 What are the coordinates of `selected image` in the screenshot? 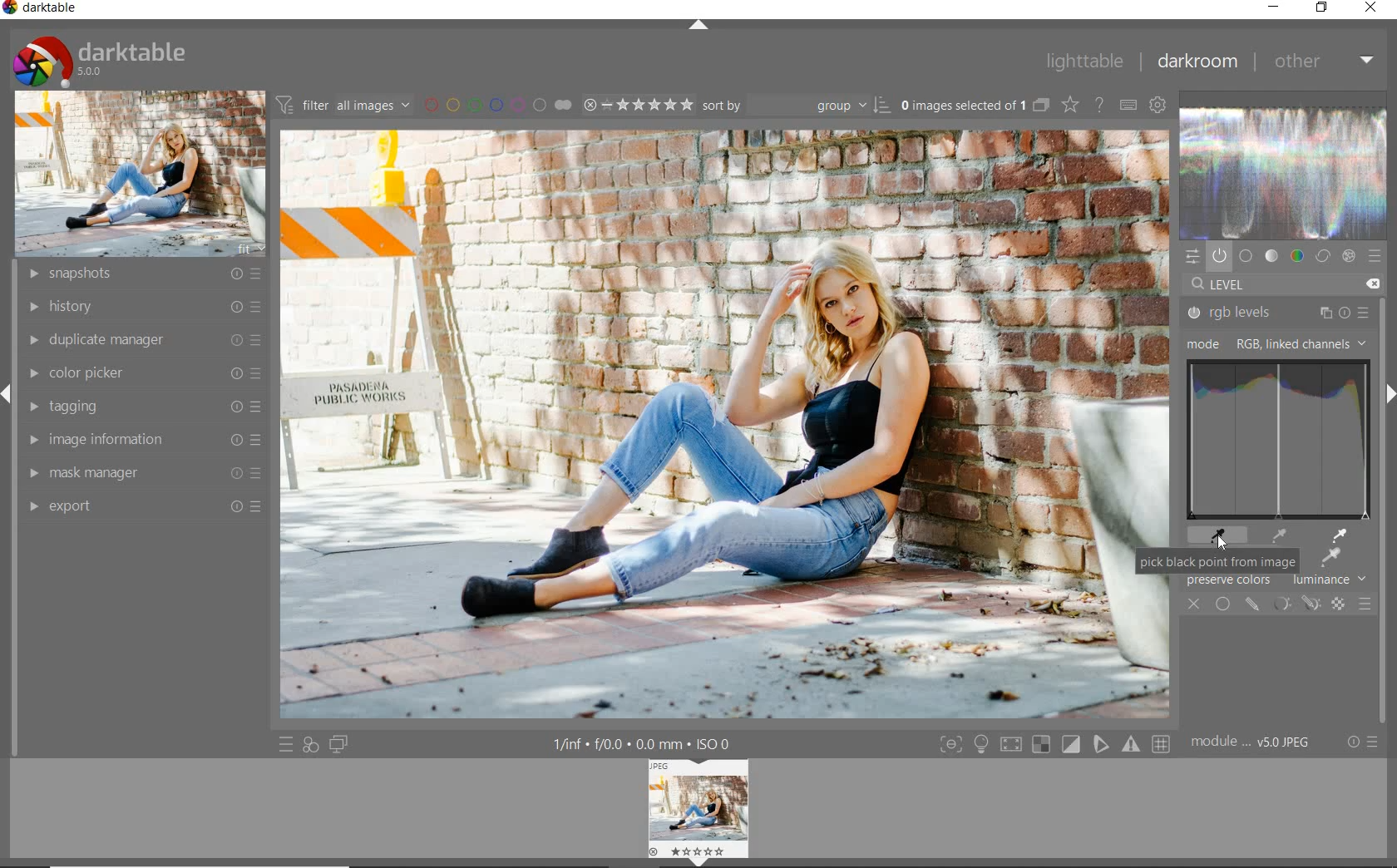 It's located at (685, 423).